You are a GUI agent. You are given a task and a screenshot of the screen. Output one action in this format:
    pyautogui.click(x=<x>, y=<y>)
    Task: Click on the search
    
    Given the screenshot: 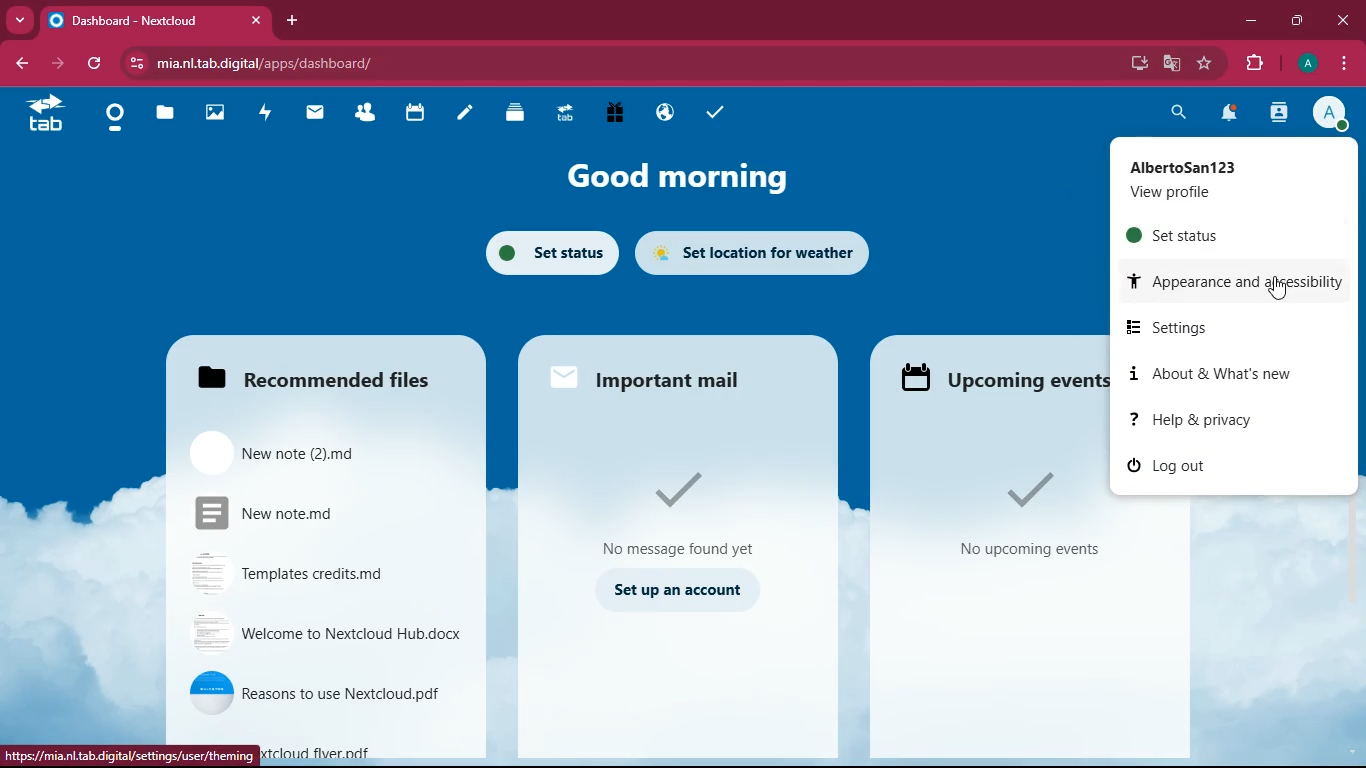 What is the action you would take?
    pyautogui.click(x=1180, y=114)
    